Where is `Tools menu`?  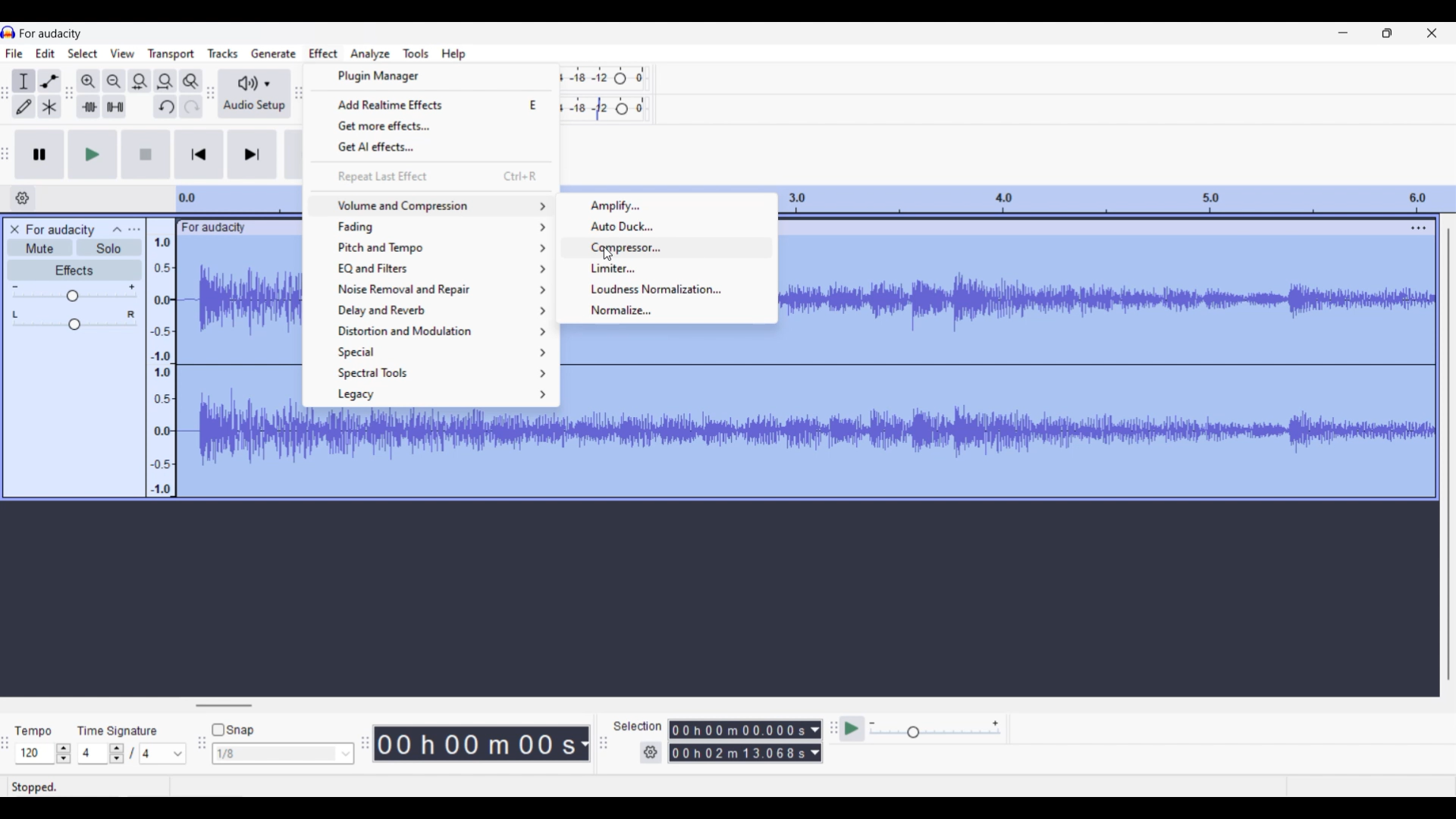 Tools menu is located at coordinates (416, 52).